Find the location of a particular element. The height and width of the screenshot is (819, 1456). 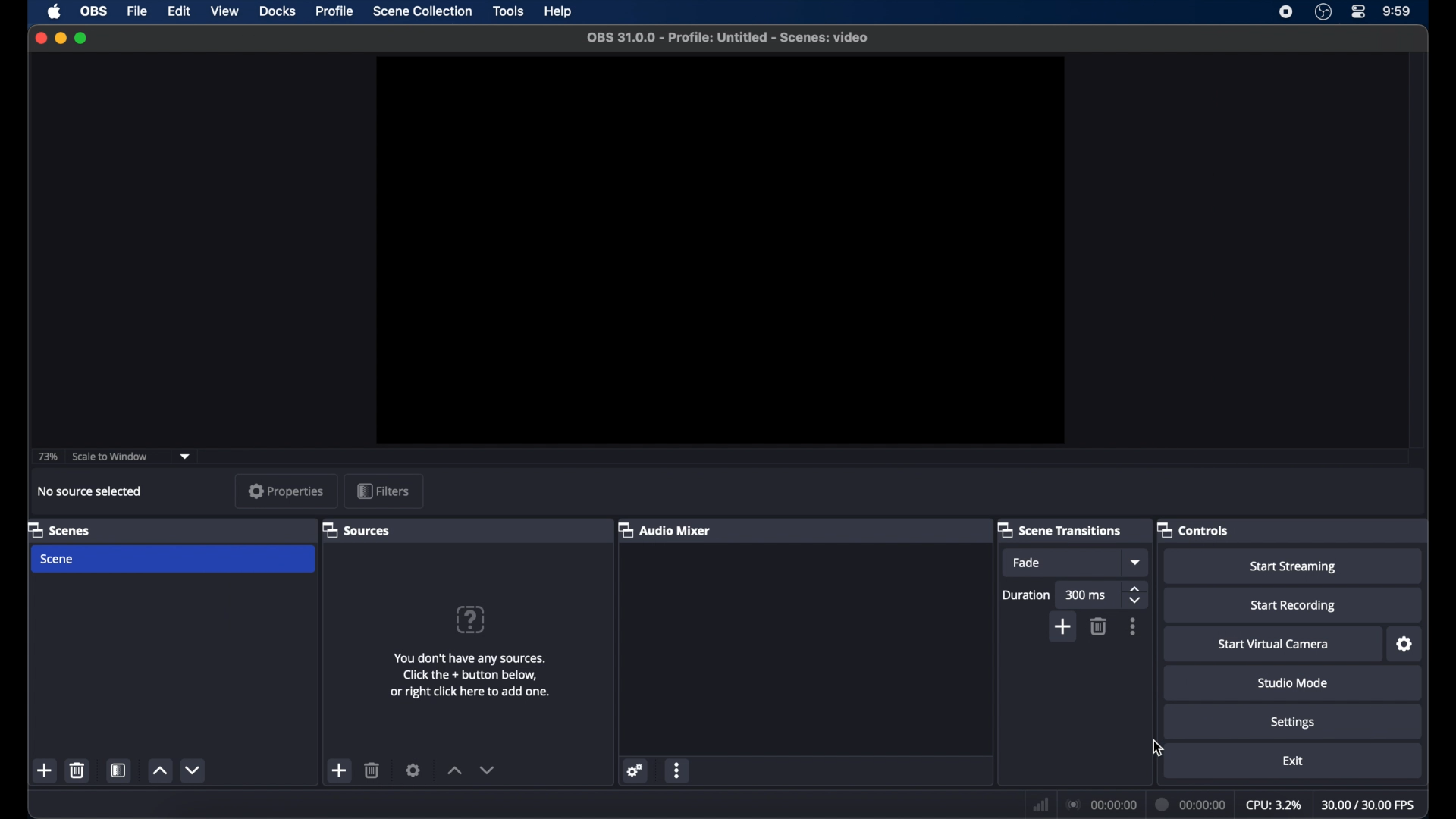

more options is located at coordinates (1133, 626).